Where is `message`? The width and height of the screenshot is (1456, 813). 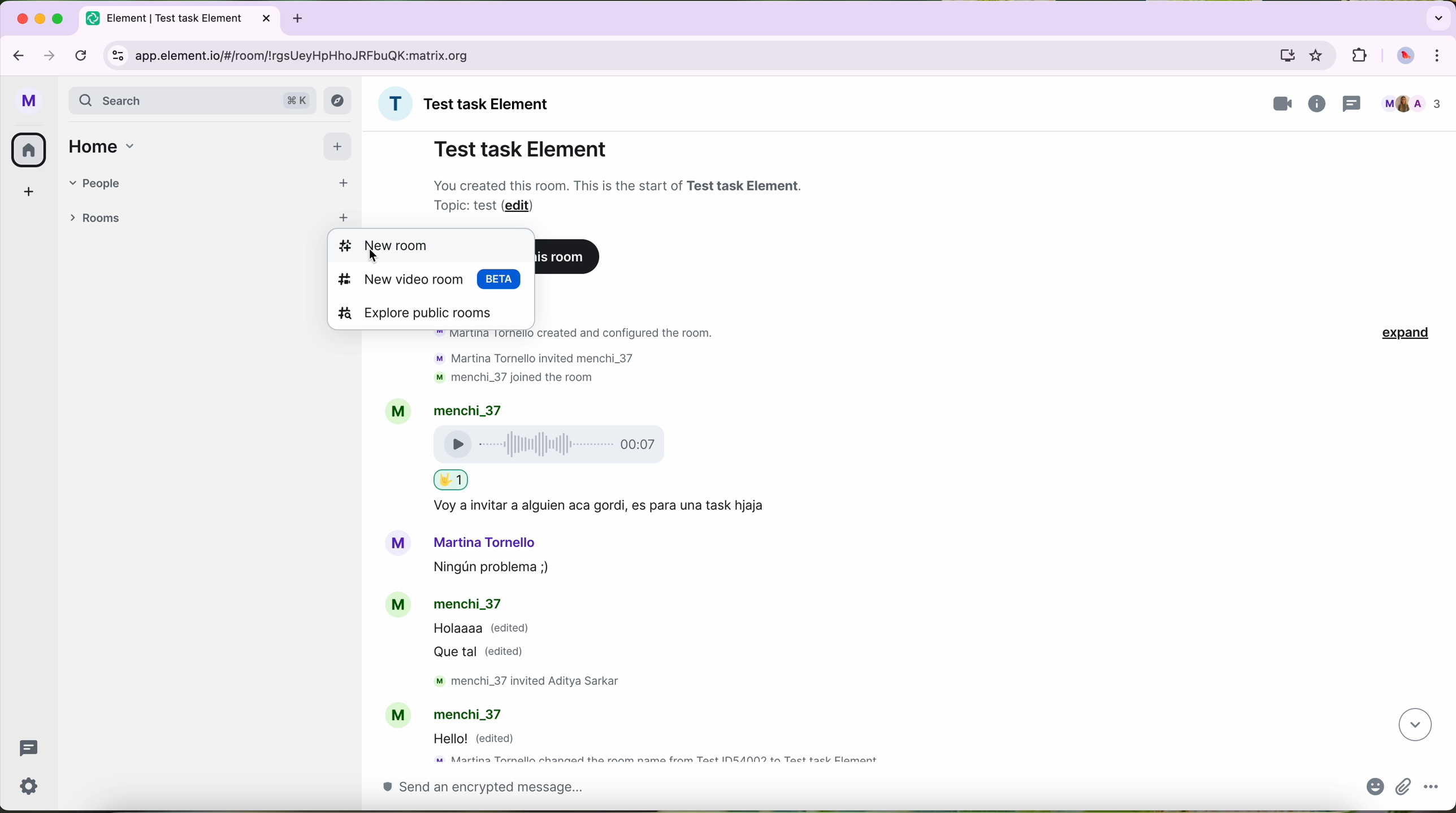 message is located at coordinates (493, 644).